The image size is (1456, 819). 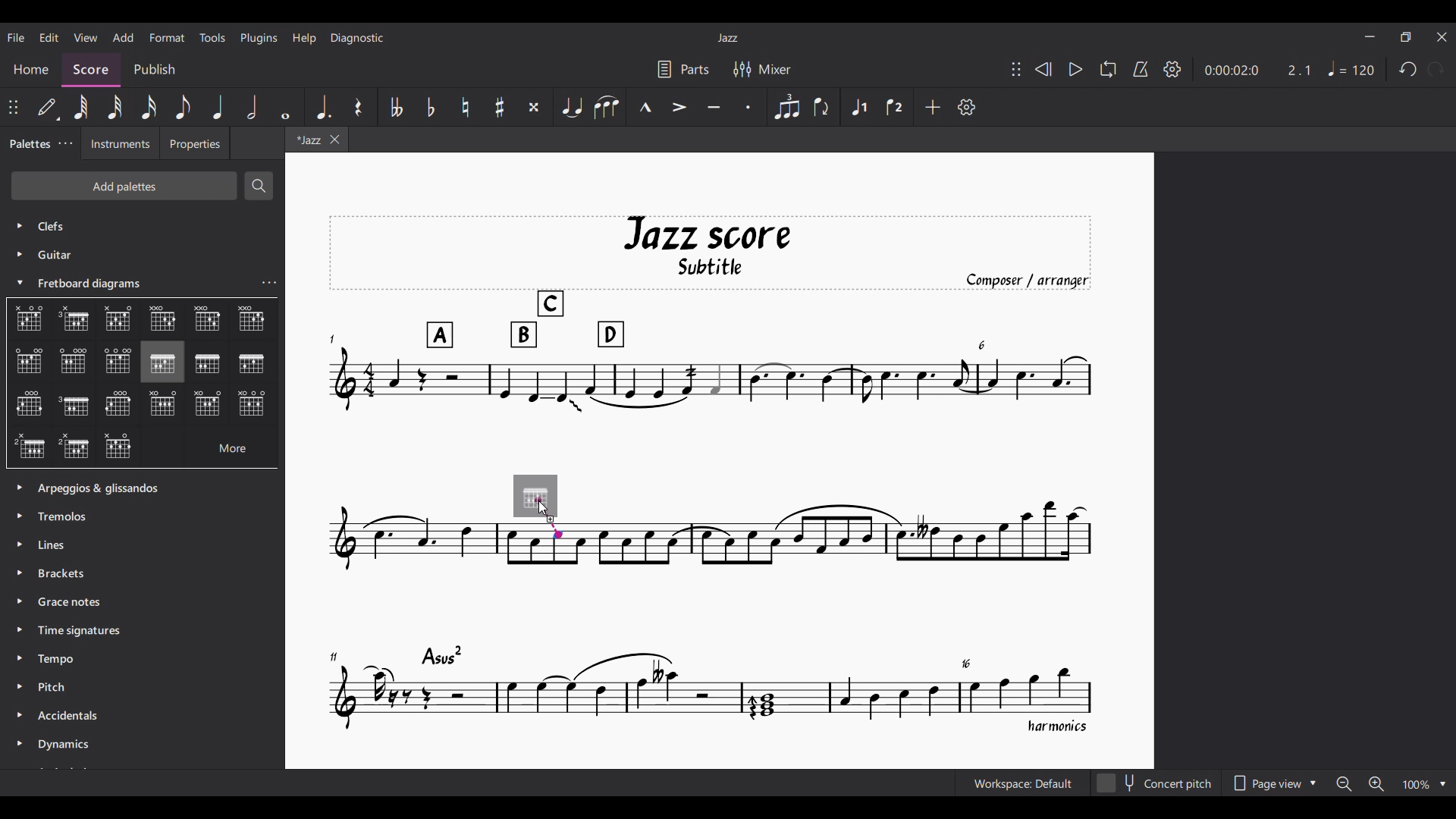 I want to click on Preview of selection, so click(x=536, y=497).